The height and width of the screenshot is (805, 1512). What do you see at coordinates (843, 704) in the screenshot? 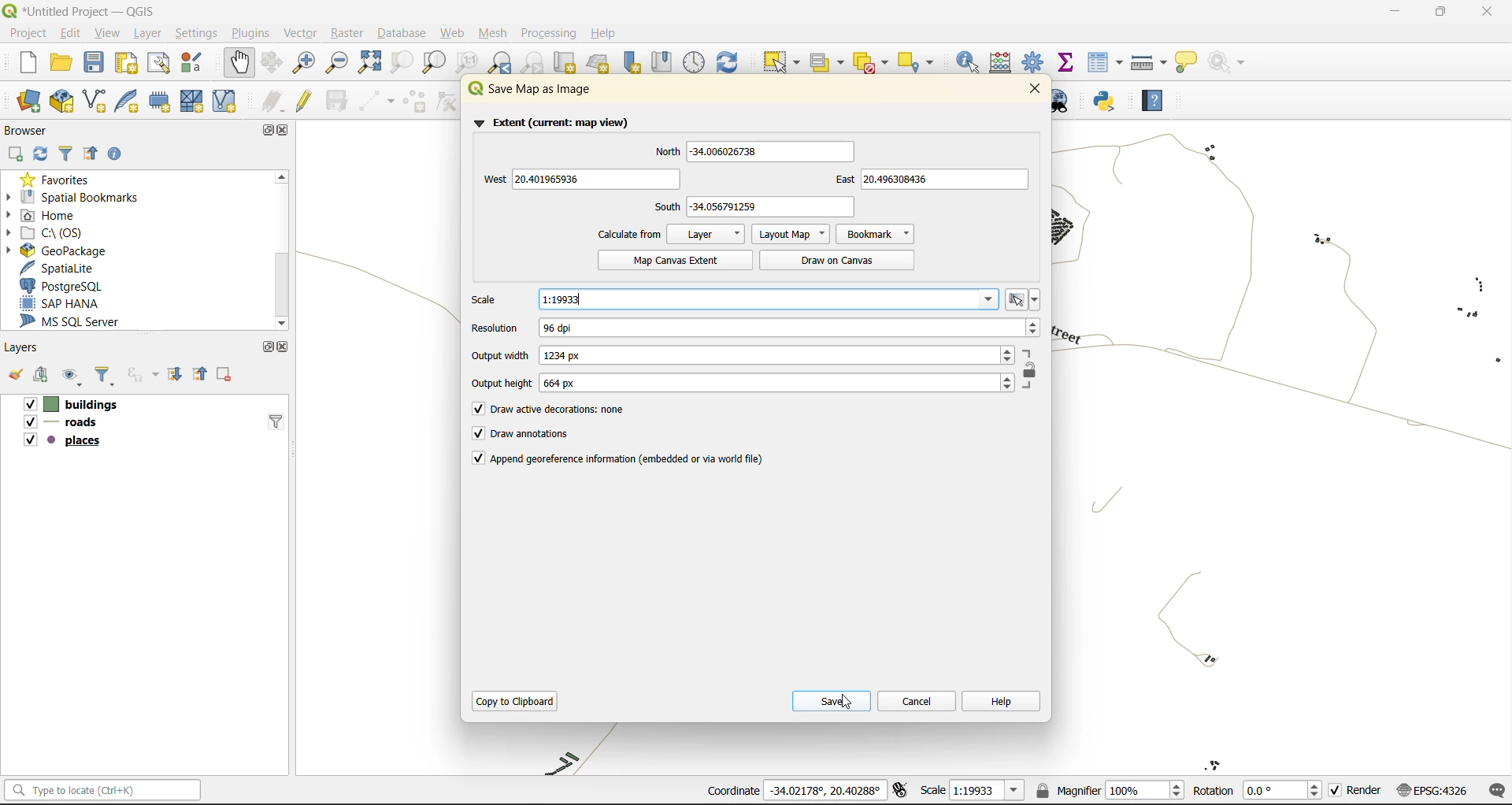
I see `cursor` at bounding box center [843, 704].